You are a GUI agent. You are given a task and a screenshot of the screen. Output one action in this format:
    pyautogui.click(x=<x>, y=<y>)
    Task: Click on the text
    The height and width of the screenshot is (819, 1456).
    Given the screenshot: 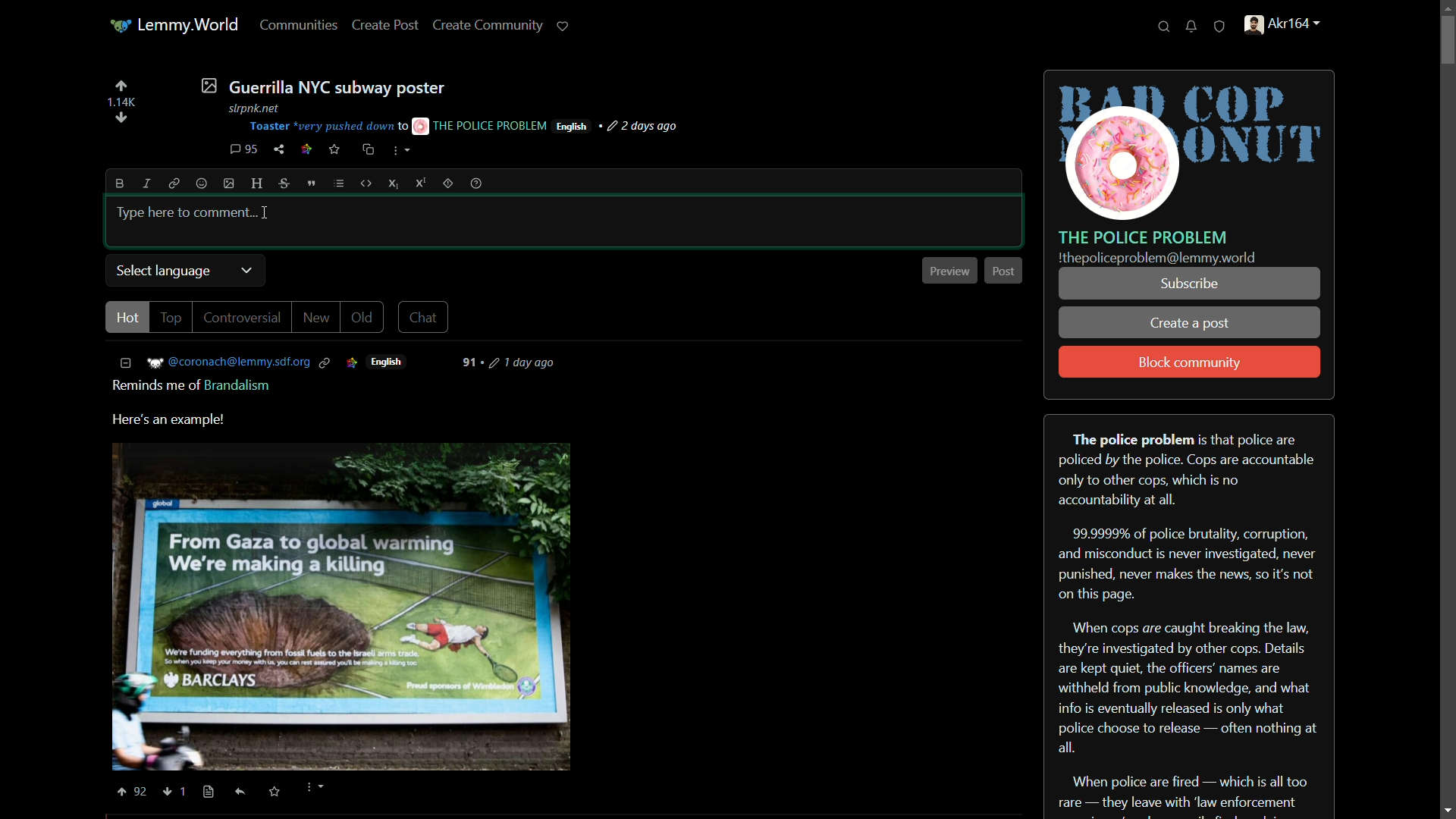 What is the action you would take?
    pyautogui.click(x=1157, y=259)
    